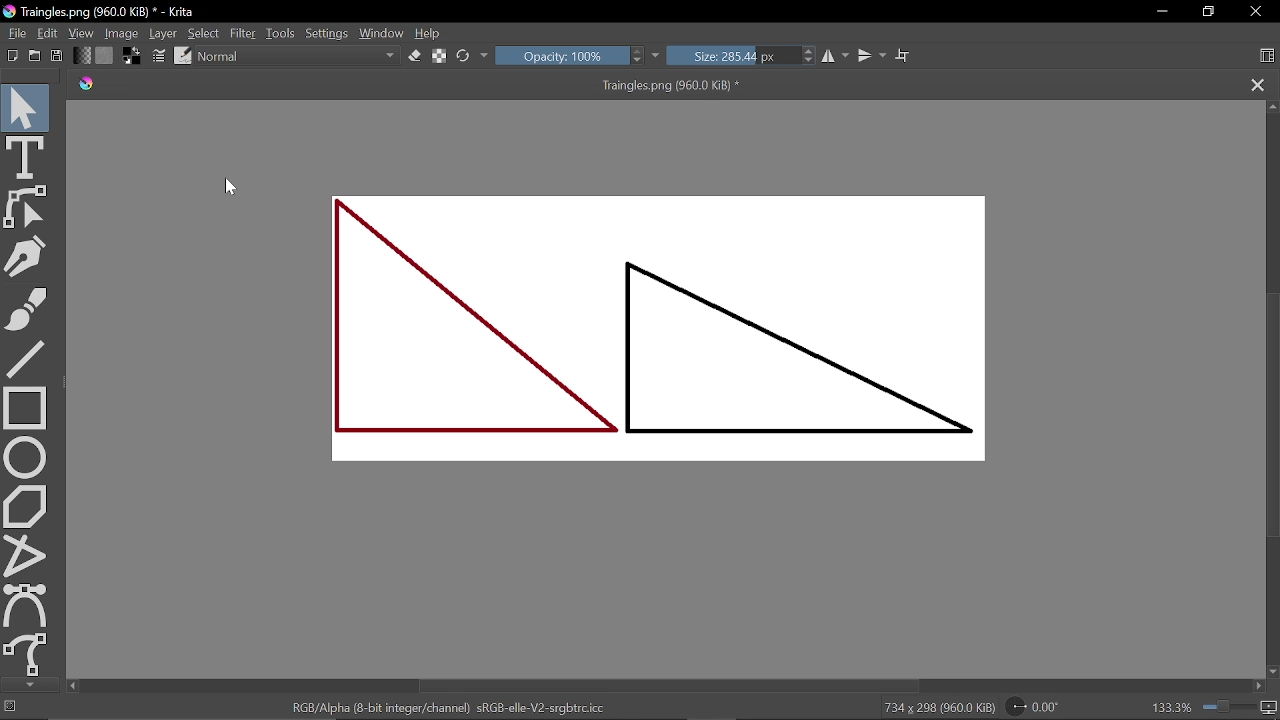 The image size is (1280, 720). I want to click on Select, so click(202, 35).